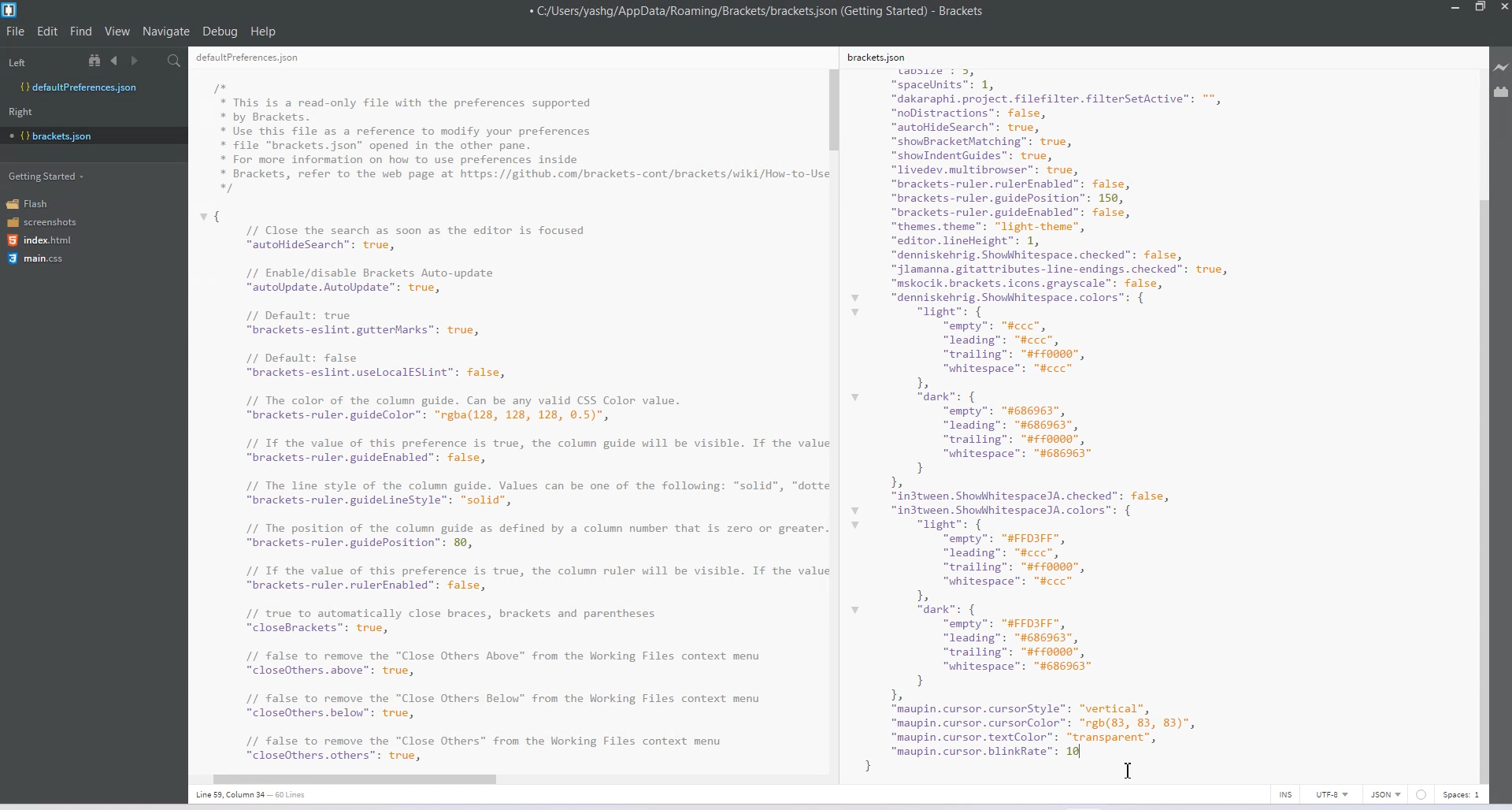 Image resolution: width=1512 pixels, height=810 pixels. What do you see at coordinates (259, 795) in the screenshot?
I see `Line 36, Column 13- 60 lines` at bounding box center [259, 795].